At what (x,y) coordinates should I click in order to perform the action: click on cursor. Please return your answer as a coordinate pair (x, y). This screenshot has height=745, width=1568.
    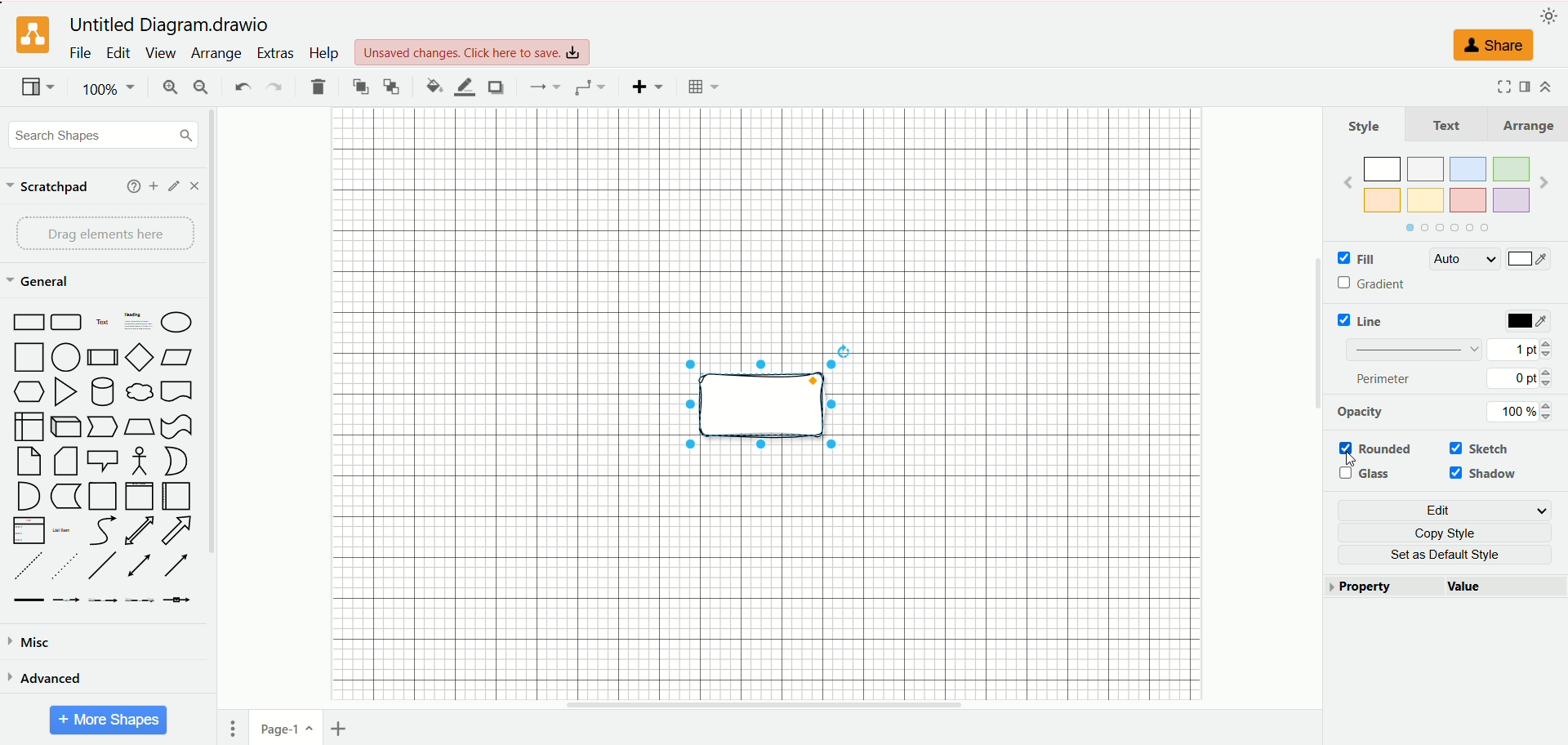
    Looking at the image, I should click on (1354, 460).